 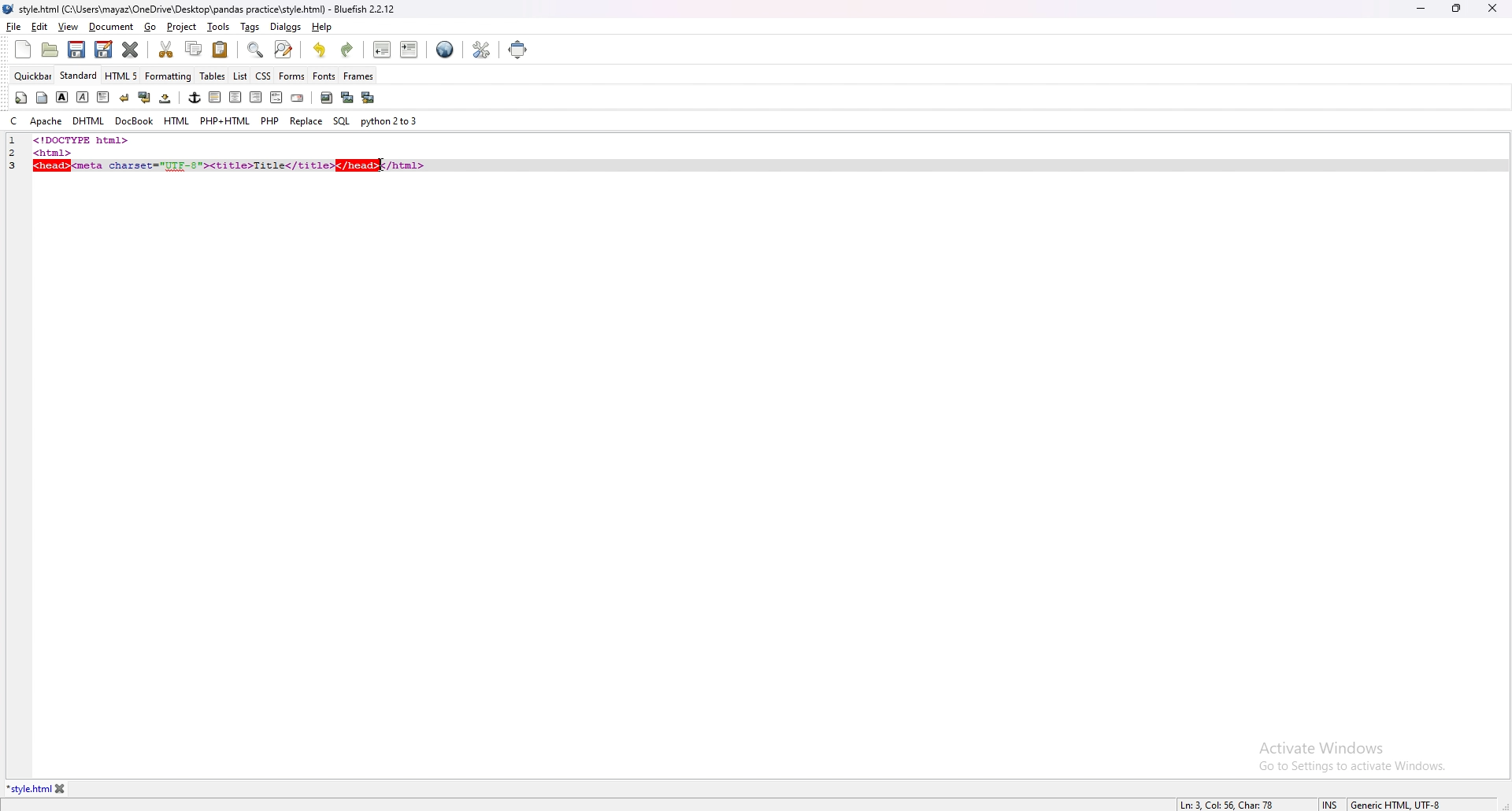 I want to click on standard, so click(x=80, y=76).